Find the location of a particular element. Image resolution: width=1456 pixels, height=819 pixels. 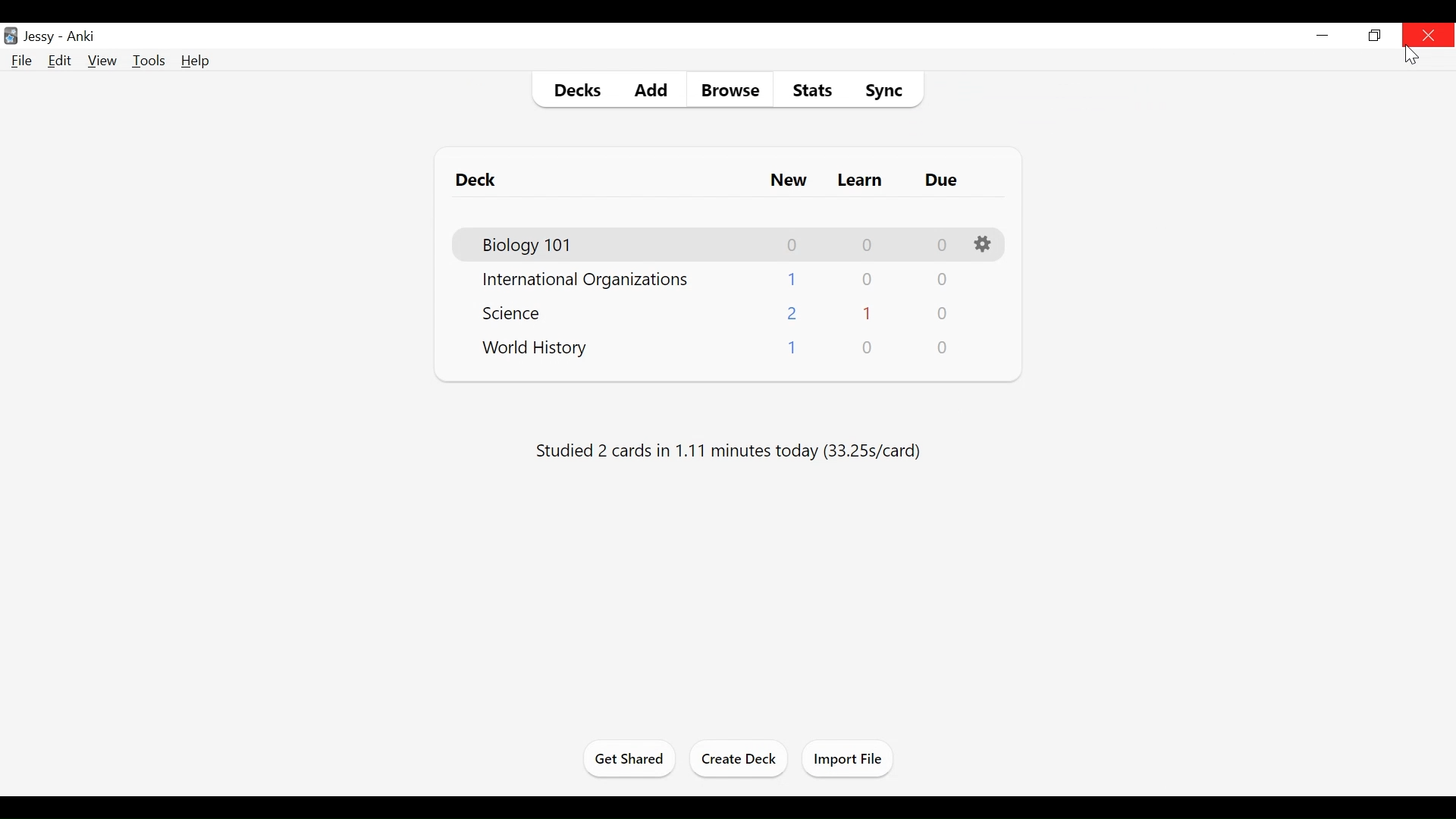

Learn Cards Count is located at coordinates (868, 246).